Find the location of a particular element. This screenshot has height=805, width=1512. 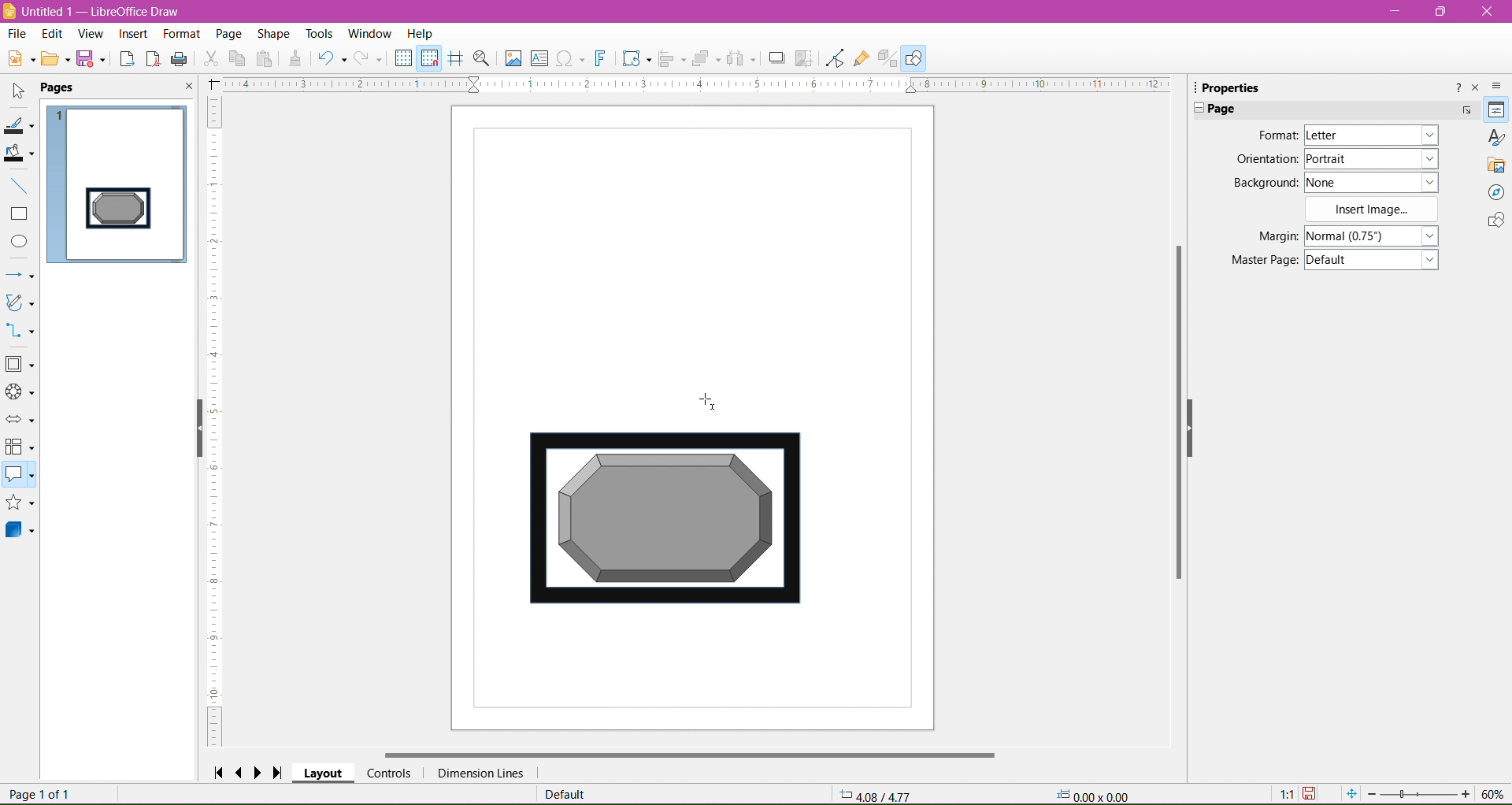

Unsaved Changes is located at coordinates (1313, 794).